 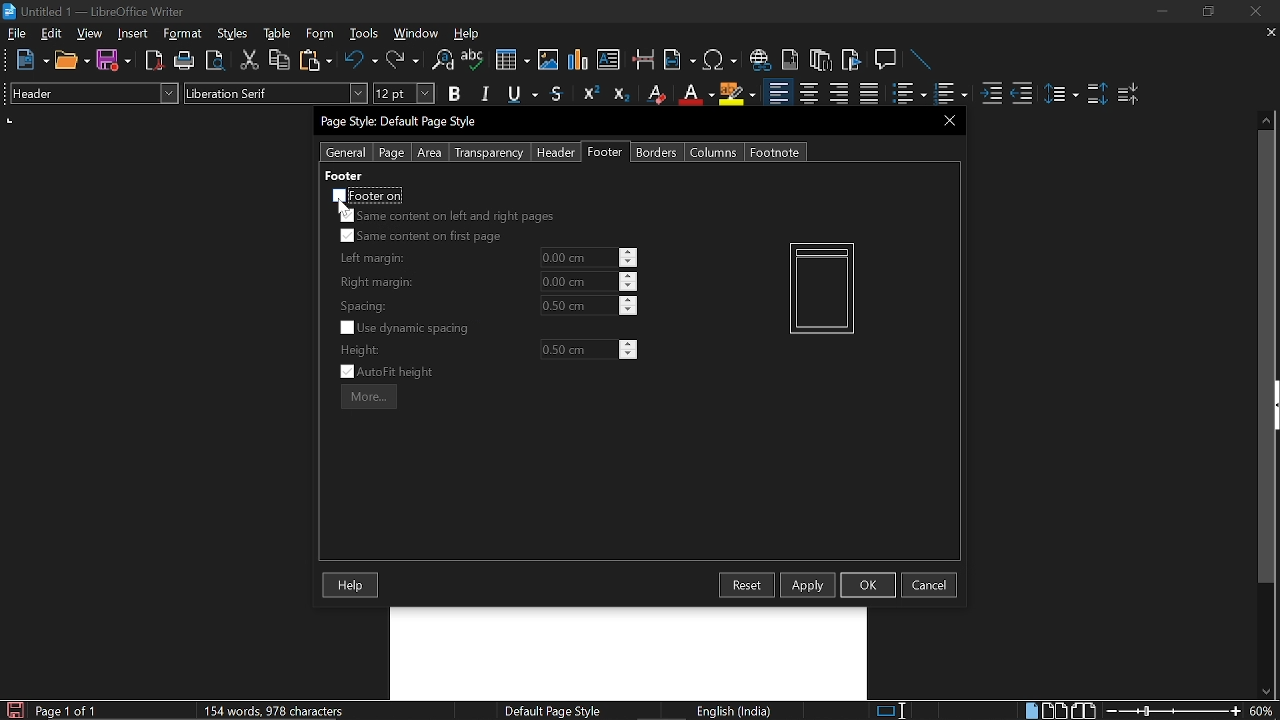 What do you see at coordinates (808, 584) in the screenshot?
I see `Apply` at bounding box center [808, 584].